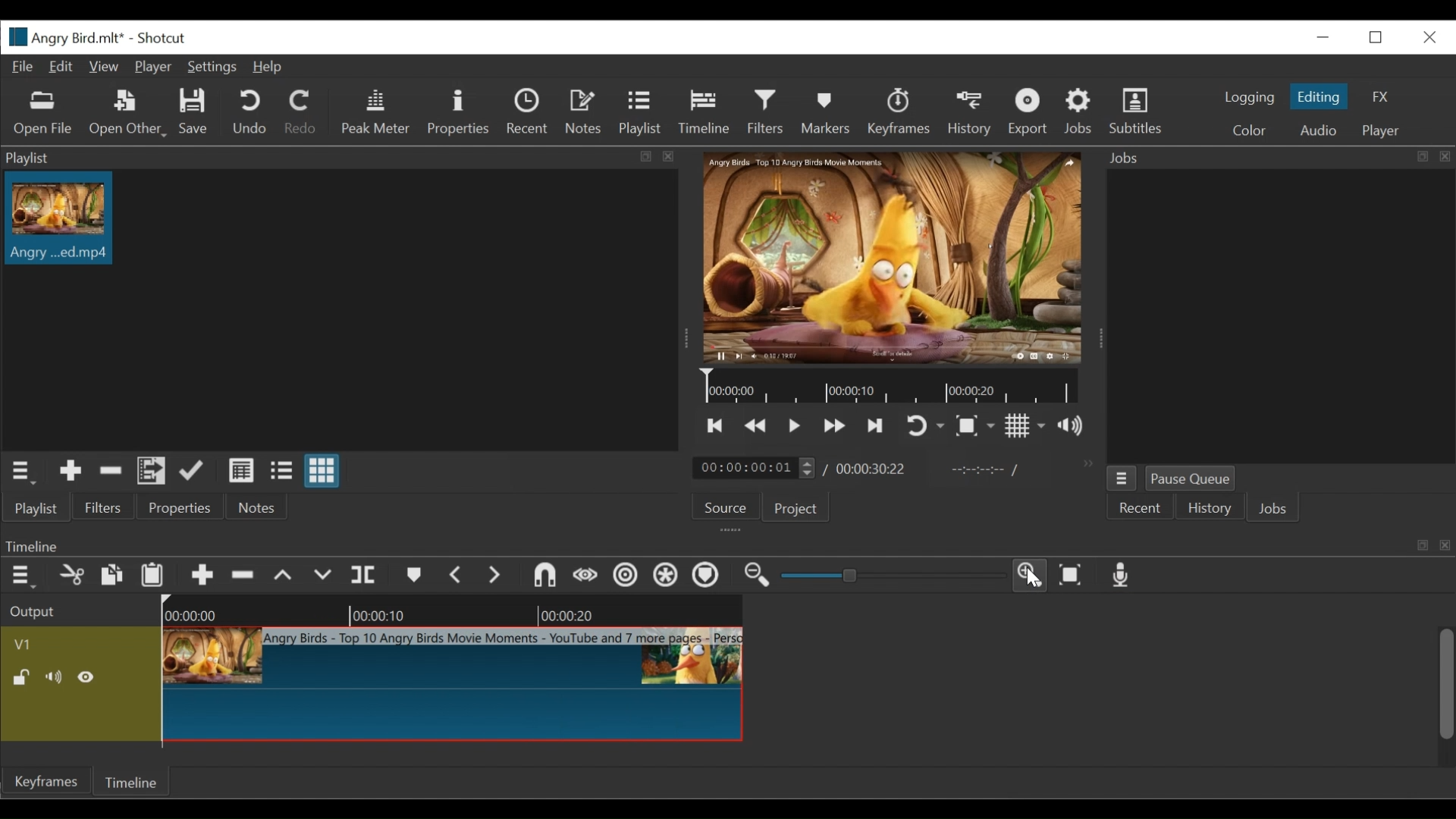 The width and height of the screenshot is (1456, 819). What do you see at coordinates (152, 67) in the screenshot?
I see `Player` at bounding box center [152, 67].